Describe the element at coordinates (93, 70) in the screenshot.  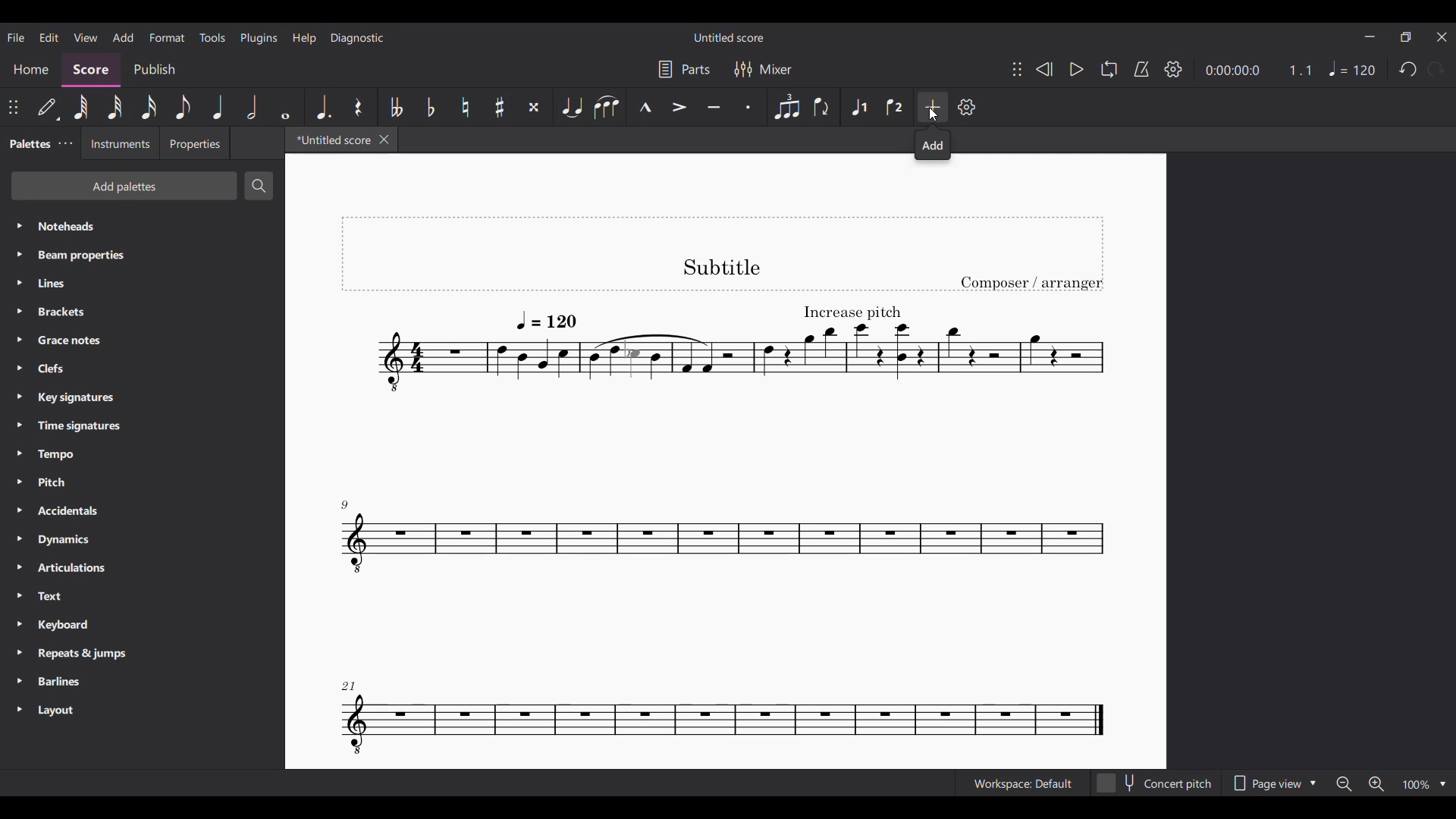
I see `Score, current section highlighted` at that location.